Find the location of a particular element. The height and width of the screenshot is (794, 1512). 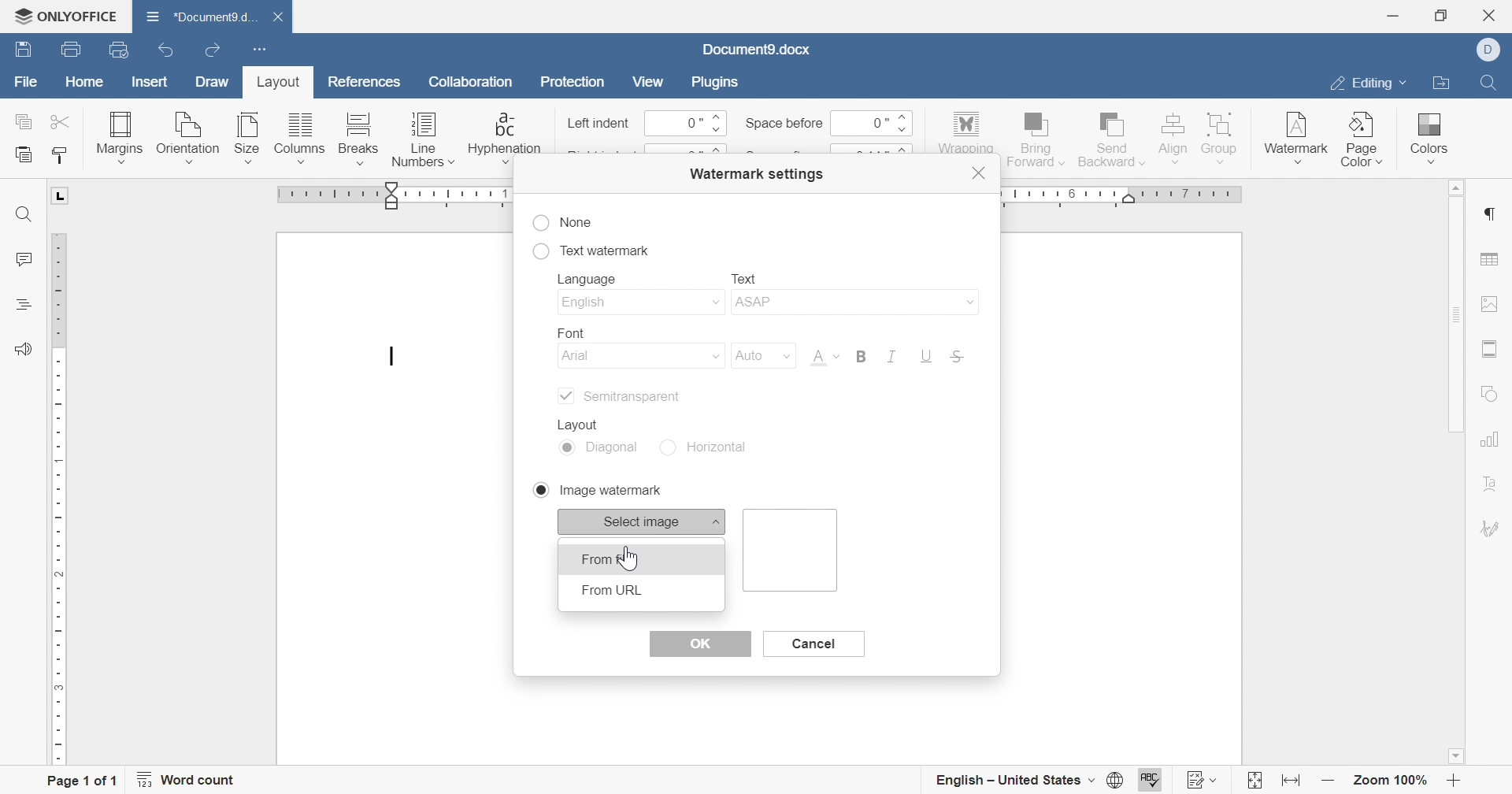

page color is located at coordinates (1363, 139).